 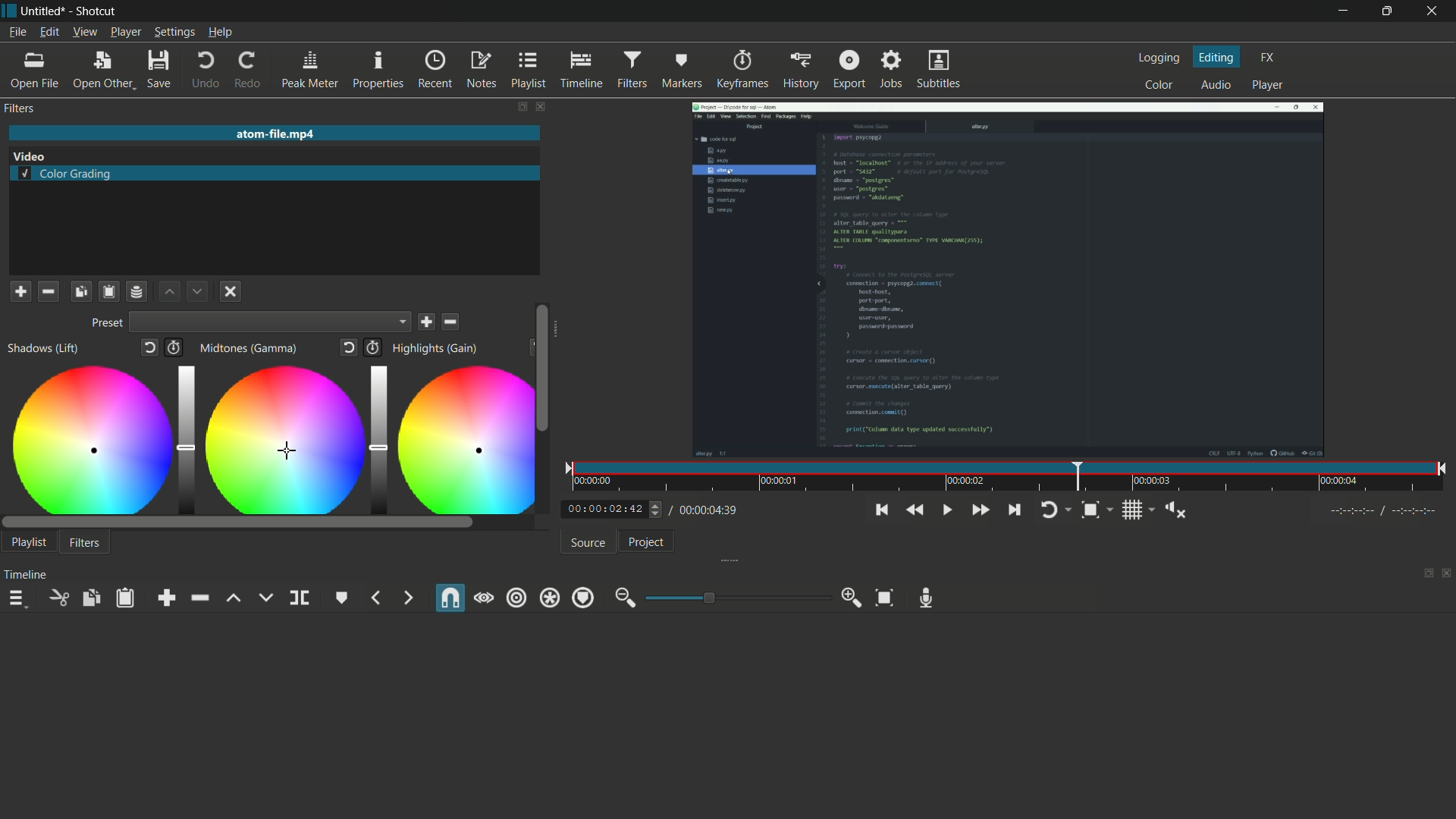 What do you see at coordinates (20, 33) in the screenshot?
I see `file menu` at bounding box center [20, 33].